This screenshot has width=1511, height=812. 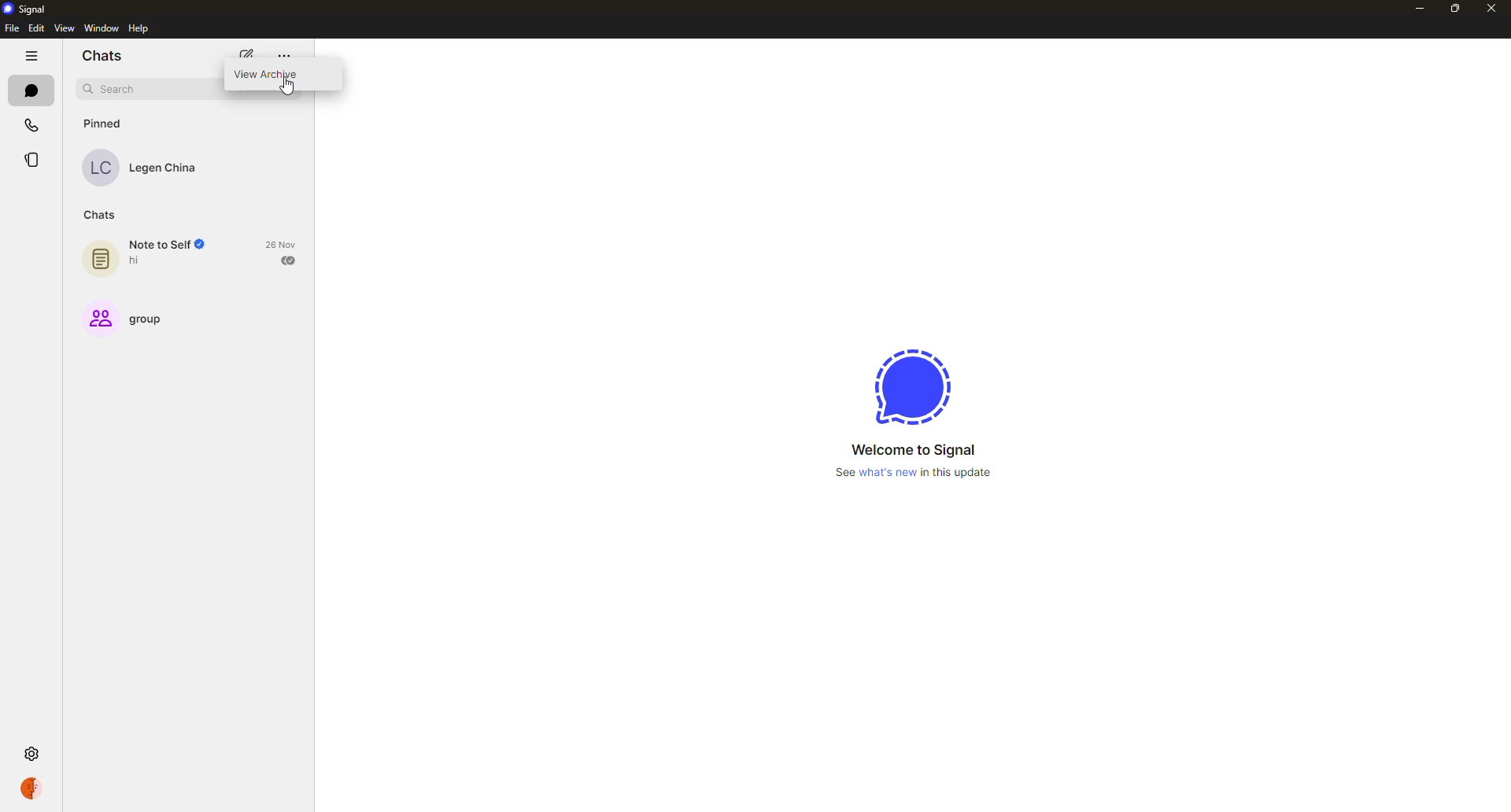 I want to click on signal, so click(x=30, y=9).